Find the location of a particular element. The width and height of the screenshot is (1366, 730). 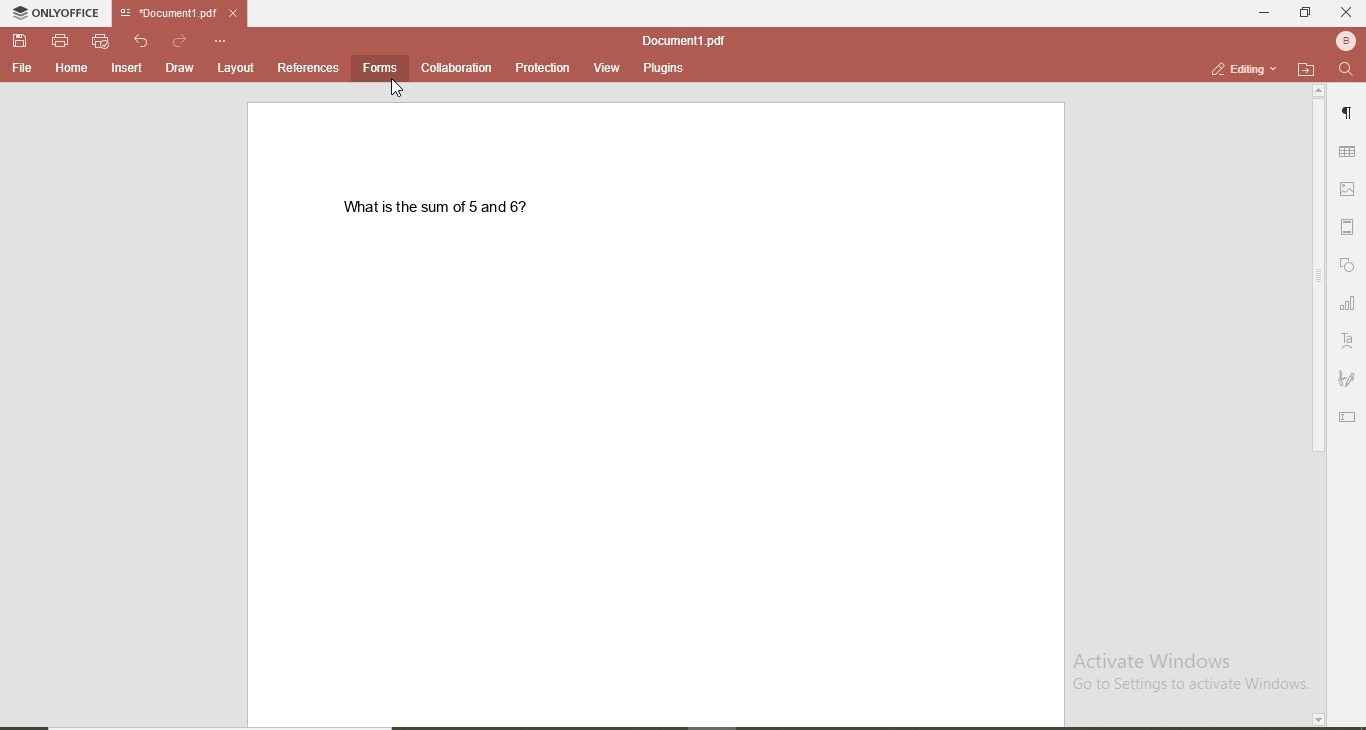

highlighted is located at coordinates (382, 68).